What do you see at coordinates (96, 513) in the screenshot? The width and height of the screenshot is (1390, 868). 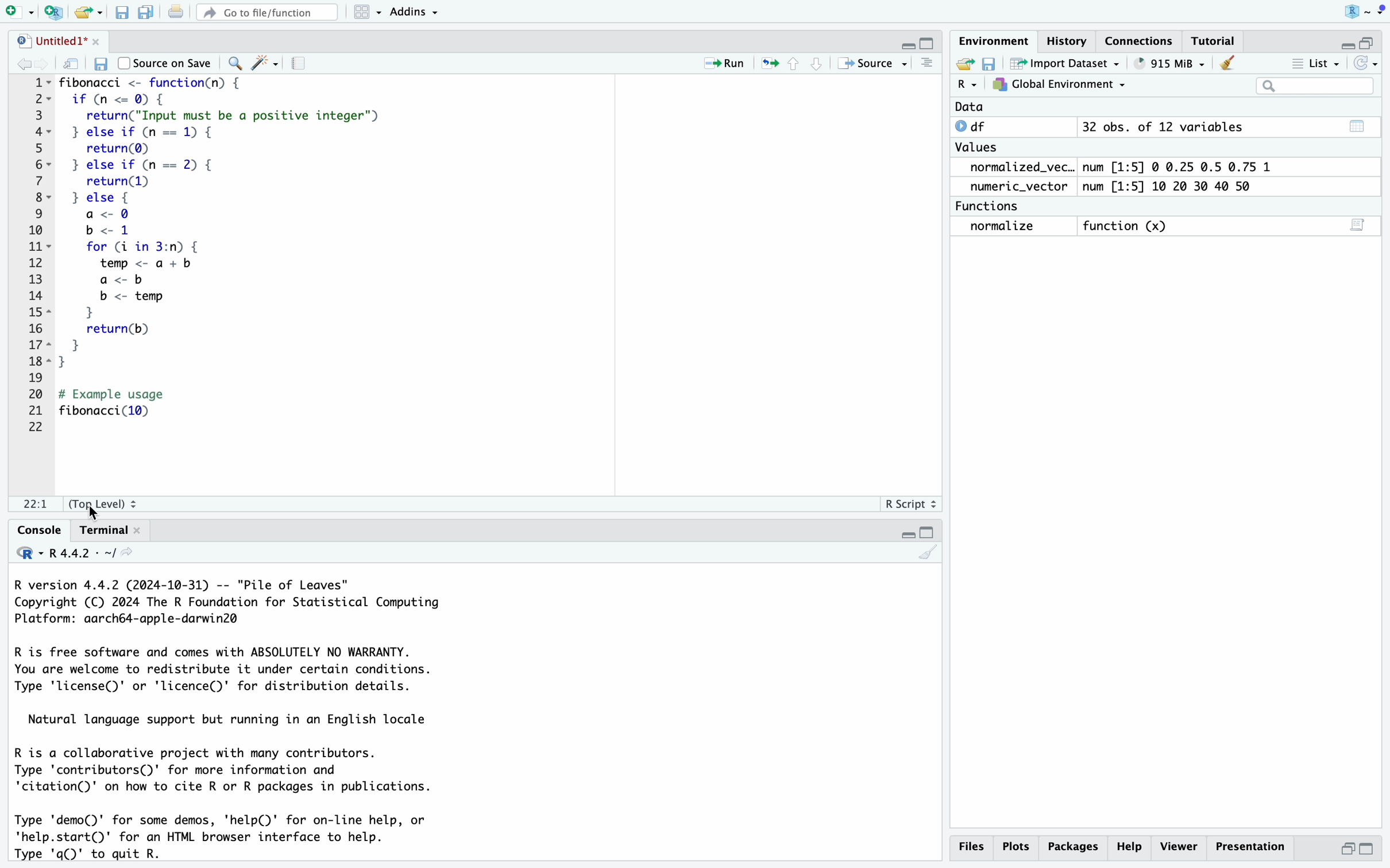 I see `cursor` at bounding box center [96, 513].